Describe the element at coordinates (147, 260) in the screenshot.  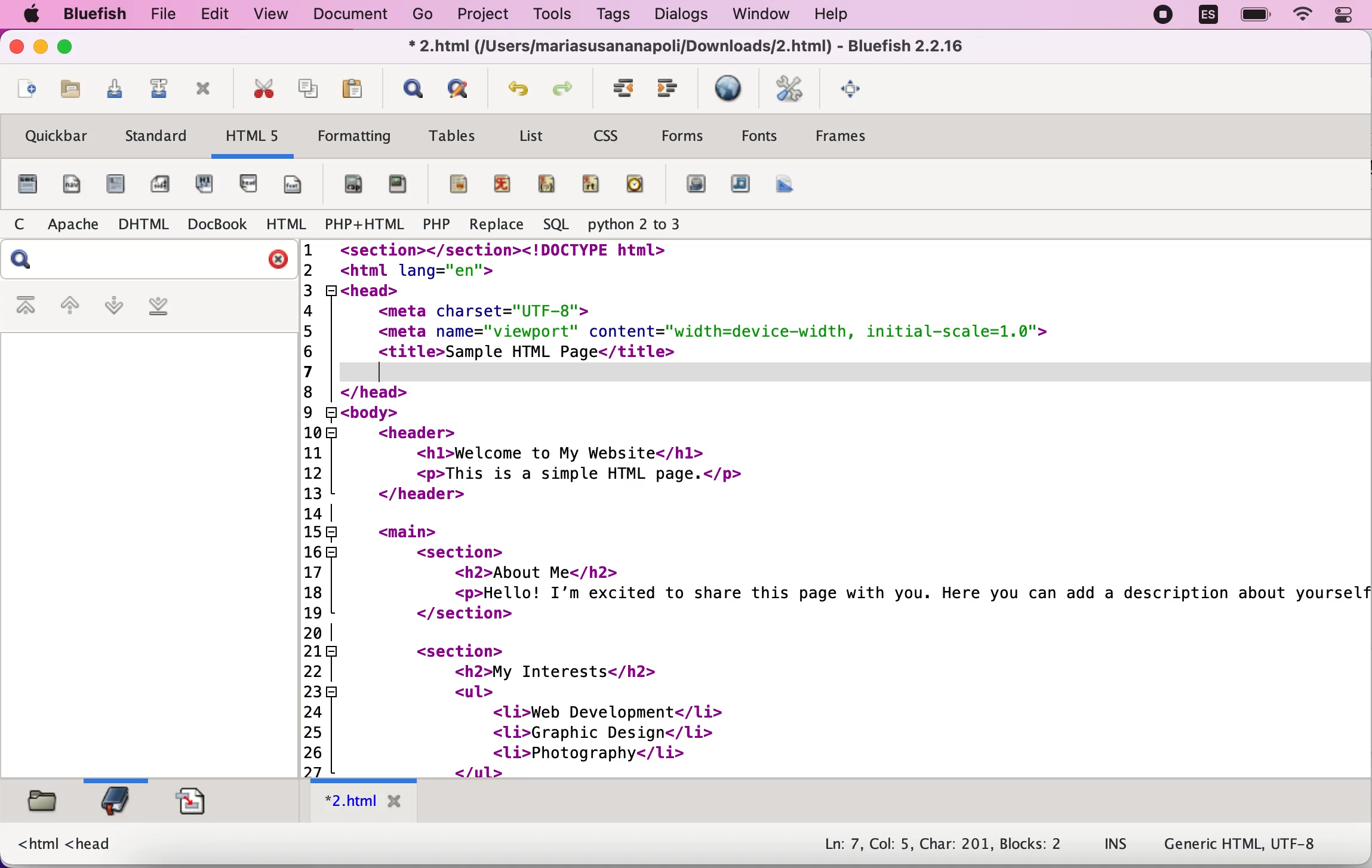
I see `search` at that location.